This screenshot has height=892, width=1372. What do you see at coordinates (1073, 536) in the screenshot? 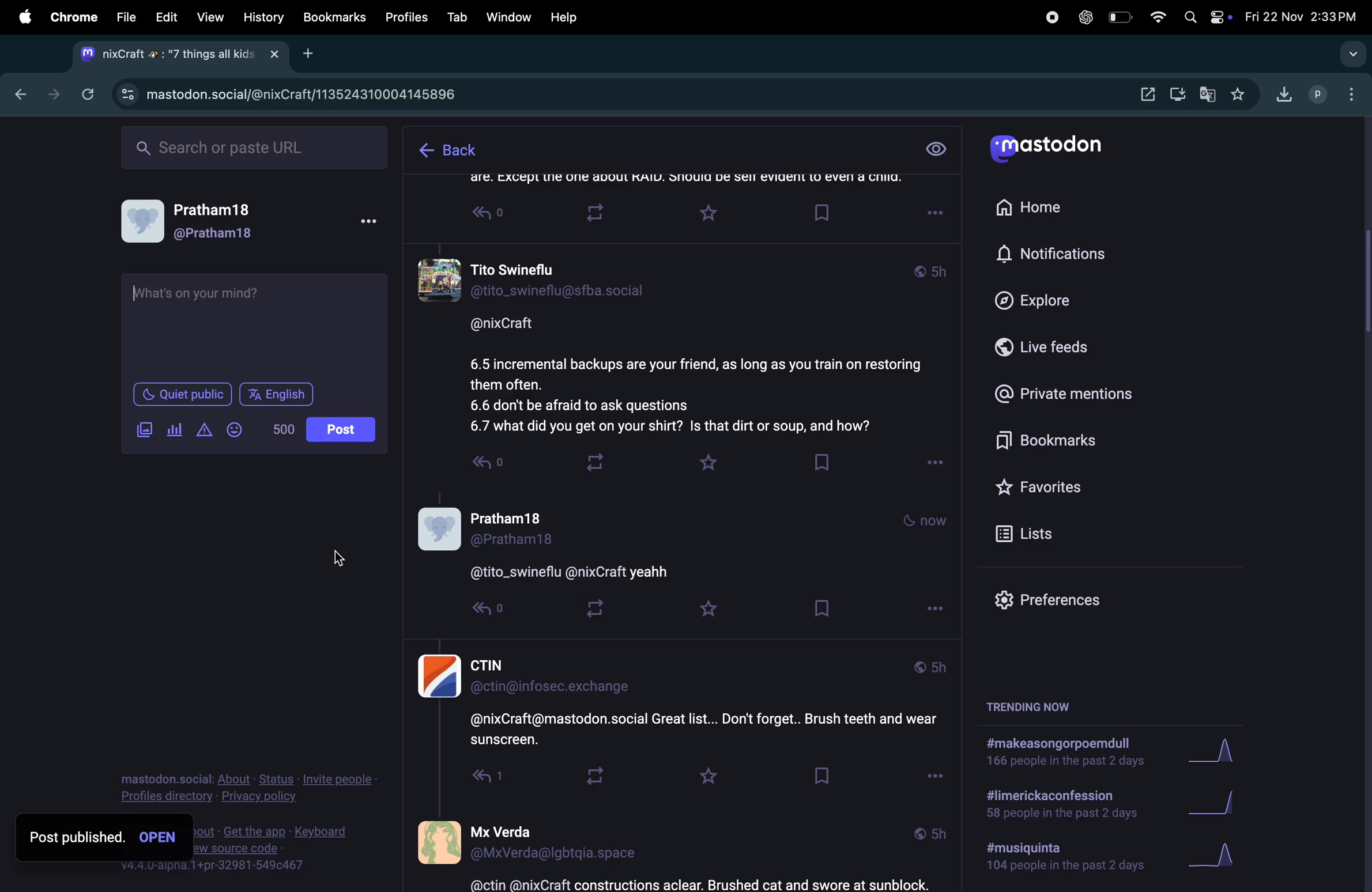
I see `lists` at bounding box center [1073, 536].